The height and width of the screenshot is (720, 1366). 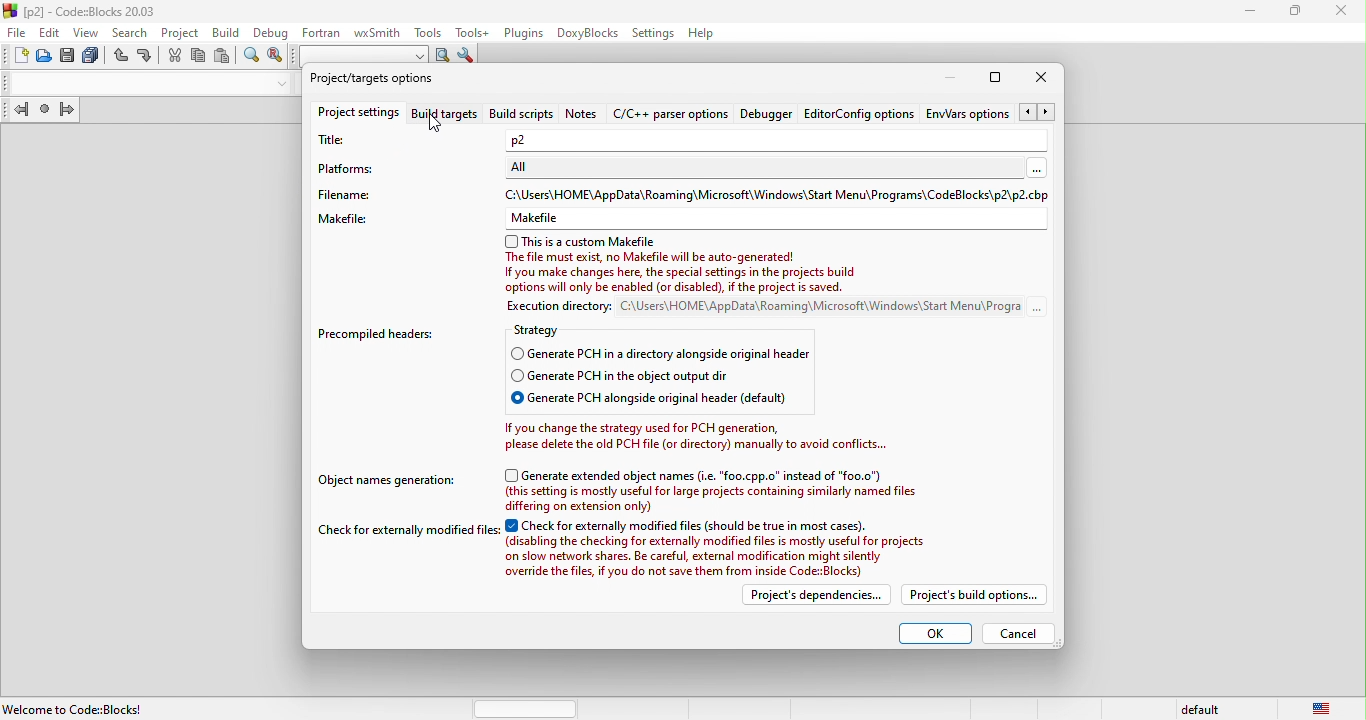 What do you see at coordinates (1339, 12) in the screenshot?
I see `close` at bounding box center [1339, 12].